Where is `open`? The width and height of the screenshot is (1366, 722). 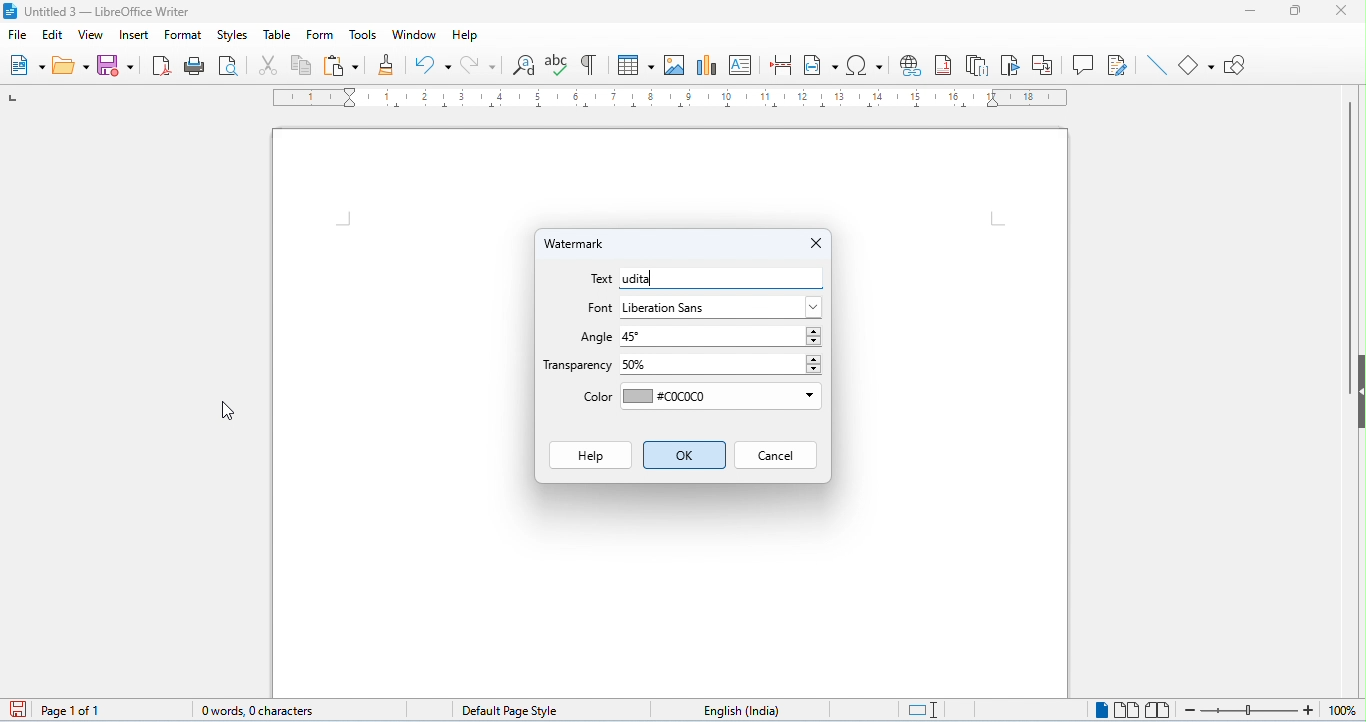 open is located at coordinates (71, 65).